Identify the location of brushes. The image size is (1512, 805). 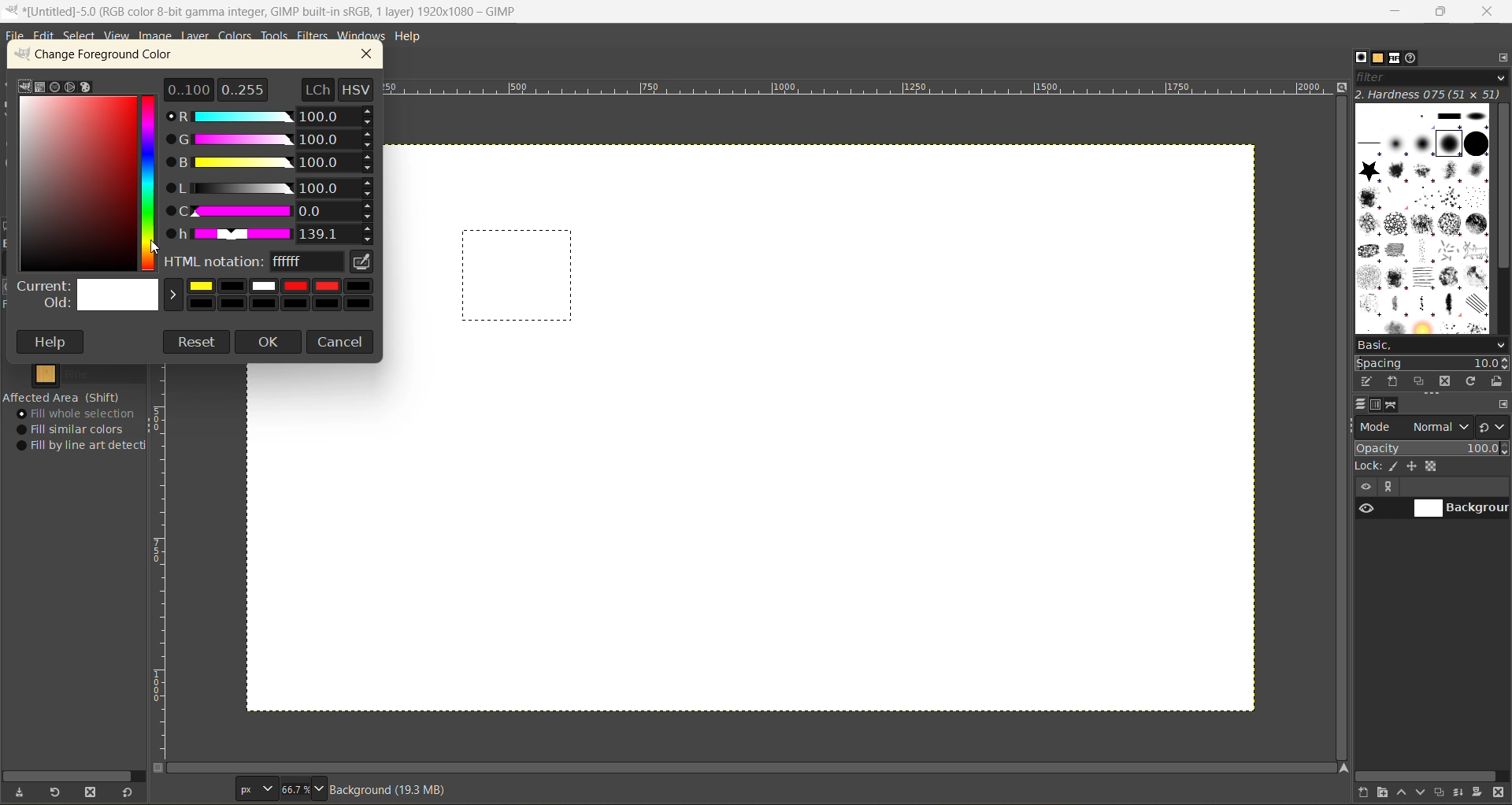
(1421, 219).